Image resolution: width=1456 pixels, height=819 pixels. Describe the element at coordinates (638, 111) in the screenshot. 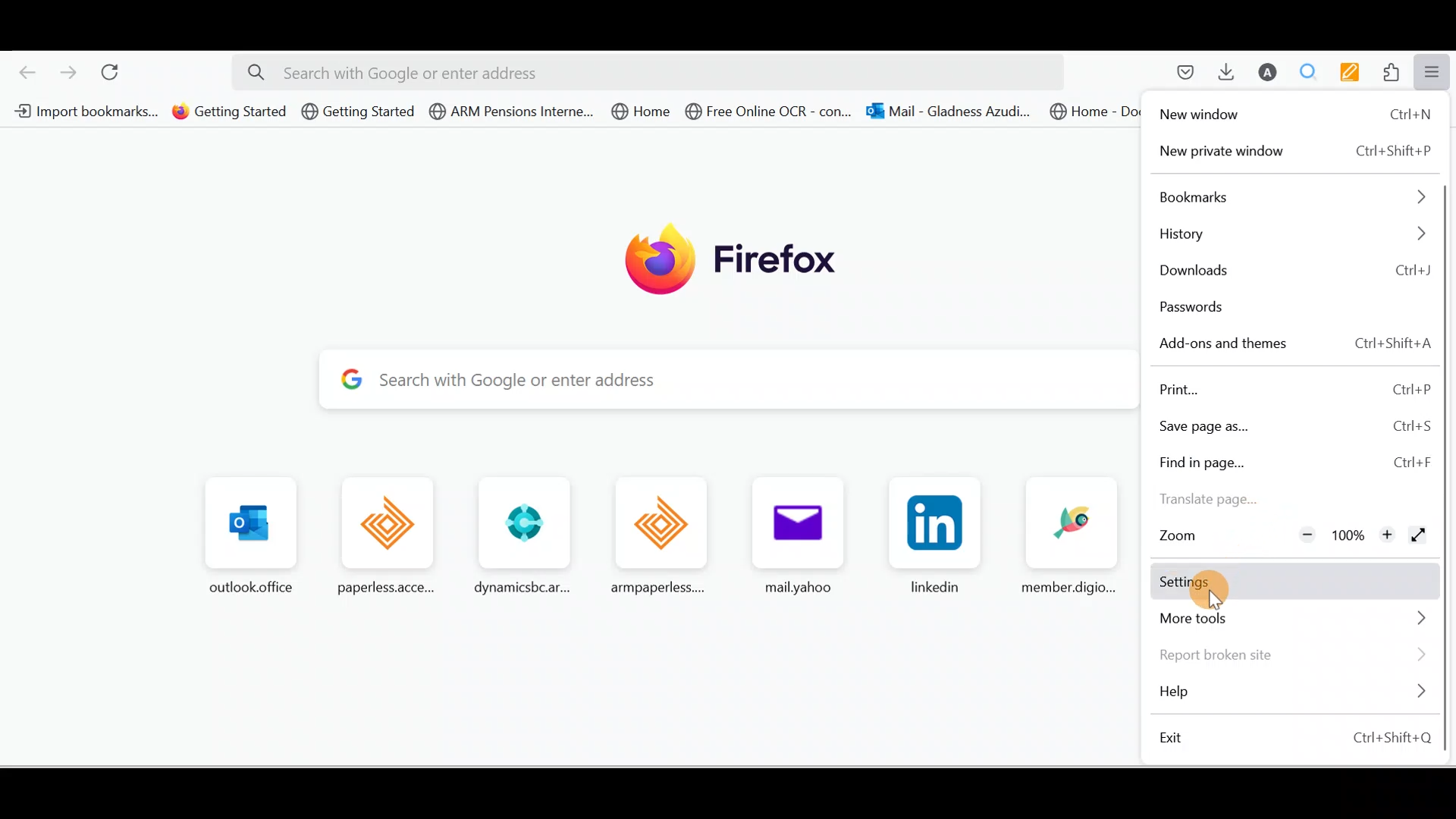

I see `Bookmark 5` at that location.